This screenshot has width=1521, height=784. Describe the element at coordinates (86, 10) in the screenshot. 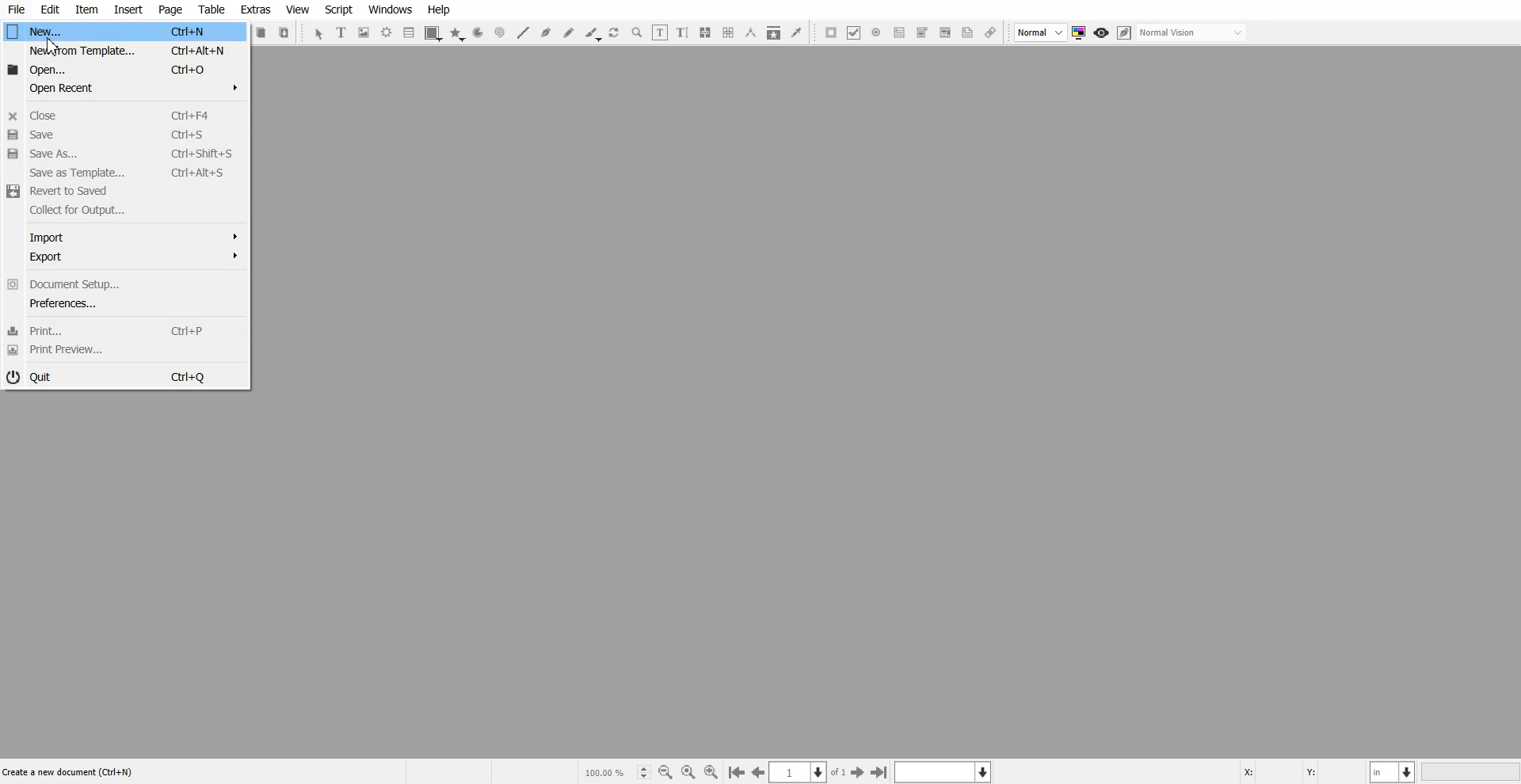

I see `Item` at that location.